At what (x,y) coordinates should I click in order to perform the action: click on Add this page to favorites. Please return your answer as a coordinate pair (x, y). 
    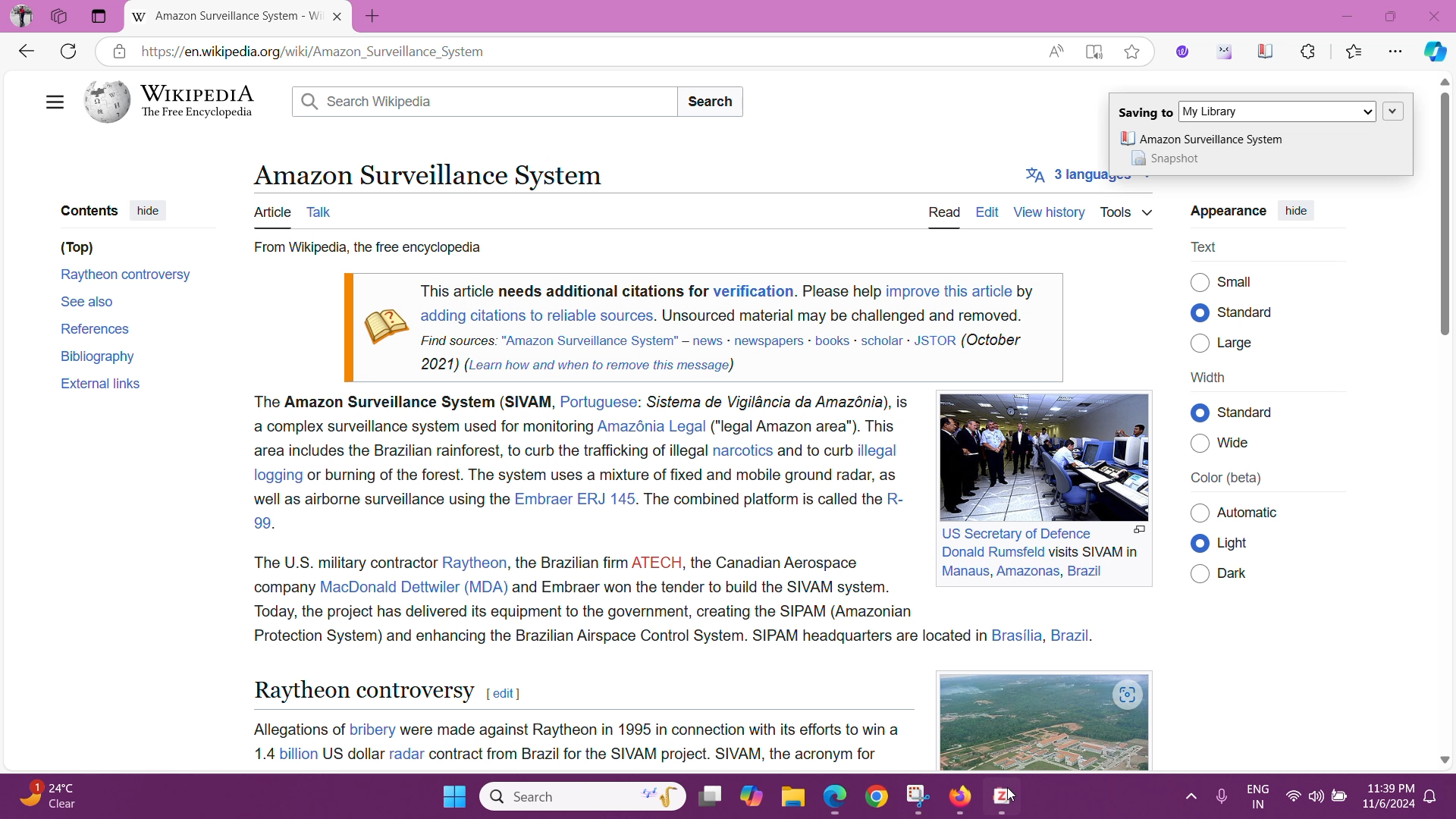
    Looking at the image, I should click on (1131, 51).